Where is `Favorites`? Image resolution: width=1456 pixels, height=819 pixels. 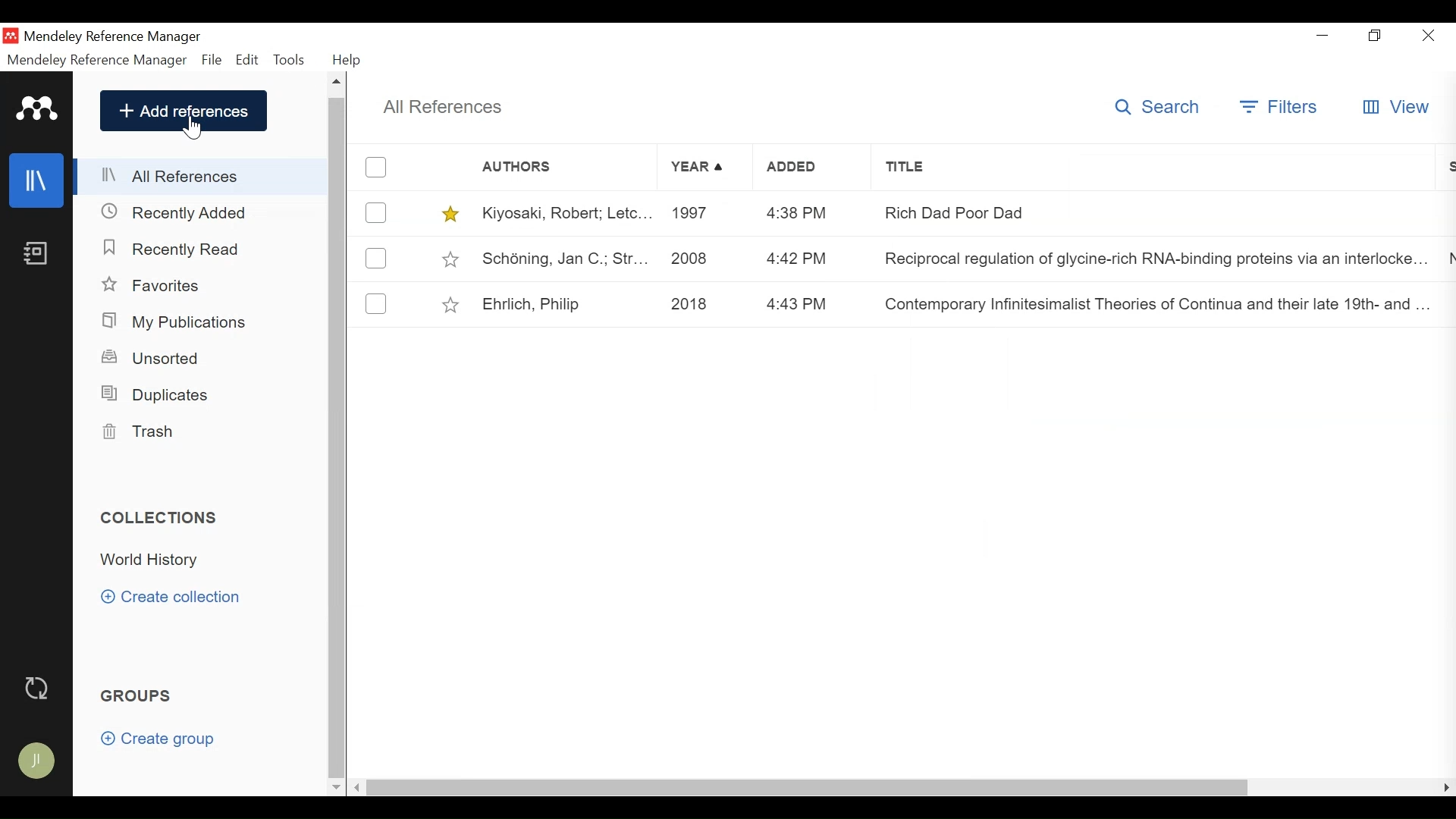 Favorites is located at coordinates (153, 285).